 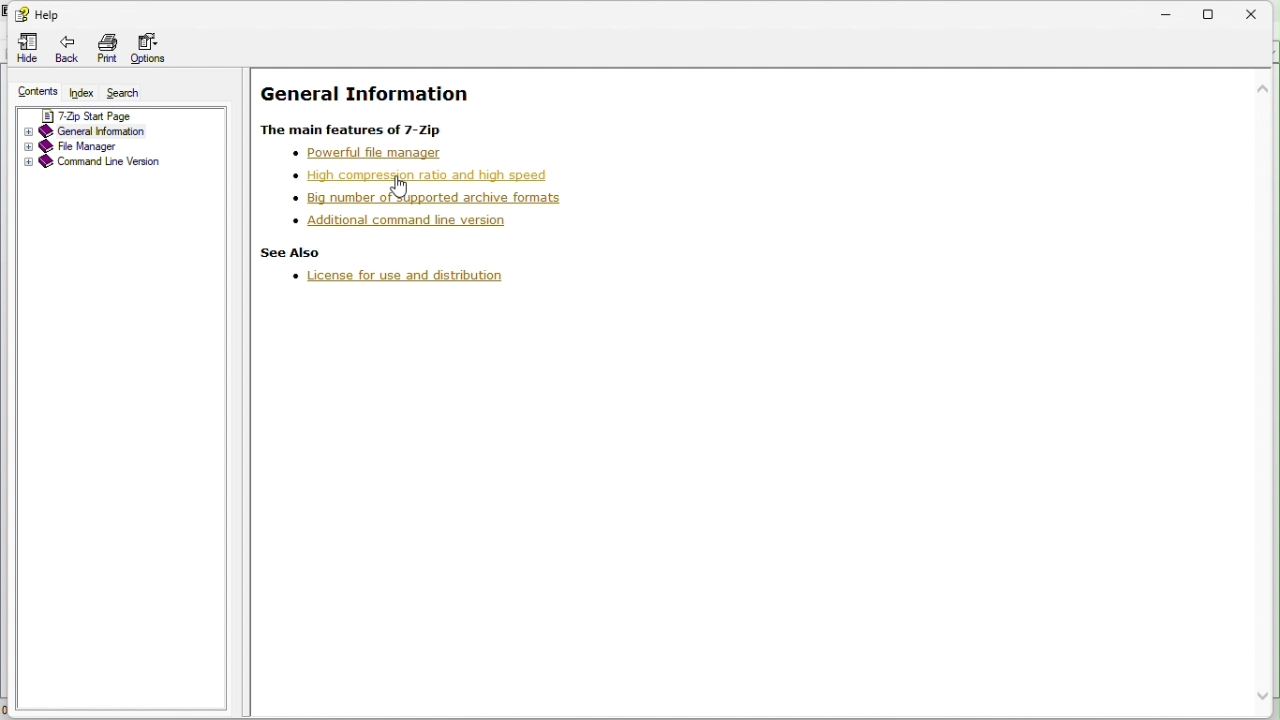 I want to click on Command line version, so click(x=115, y=161).